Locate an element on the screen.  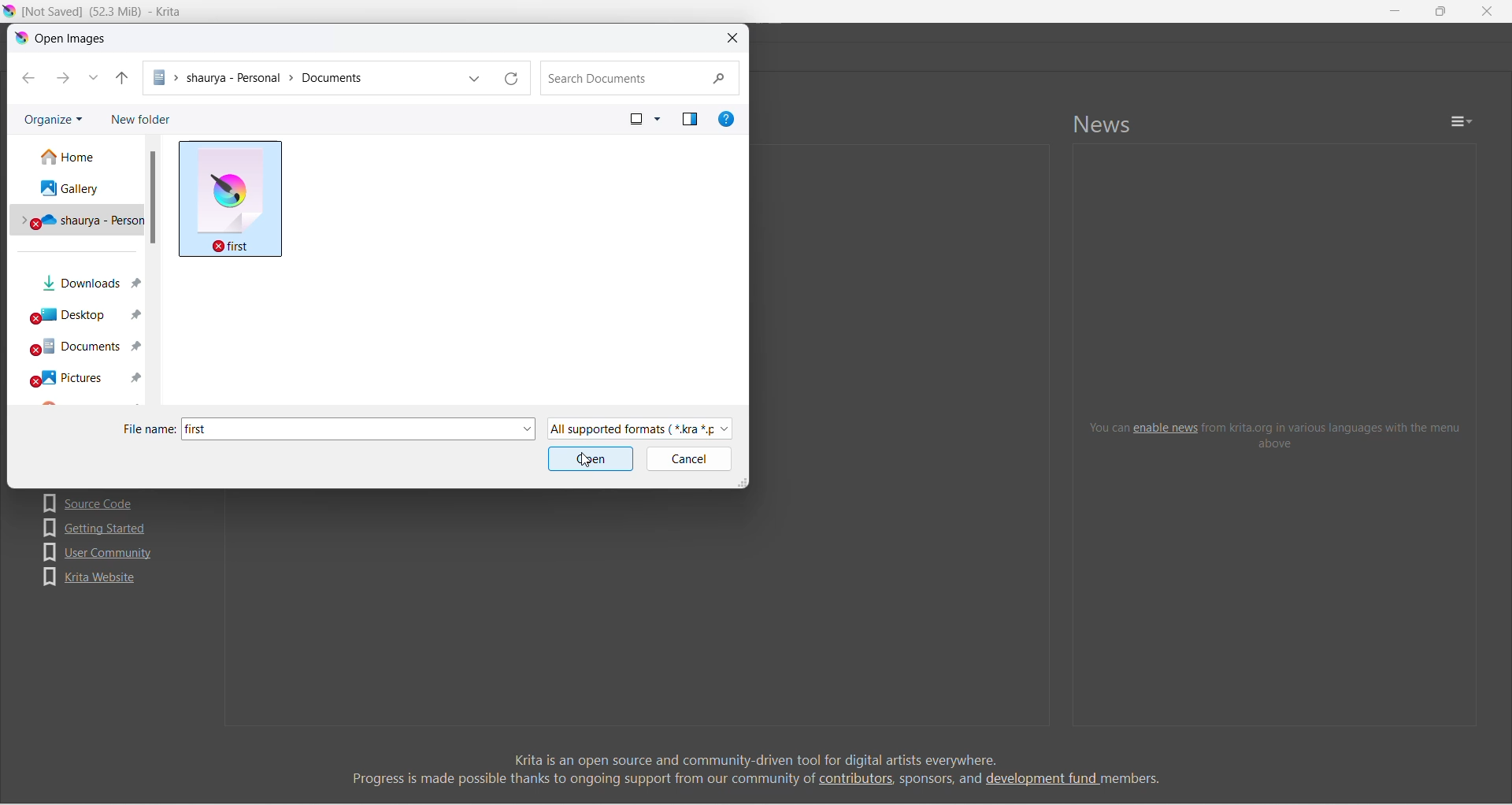
more options is located at coordinates (658, 119).